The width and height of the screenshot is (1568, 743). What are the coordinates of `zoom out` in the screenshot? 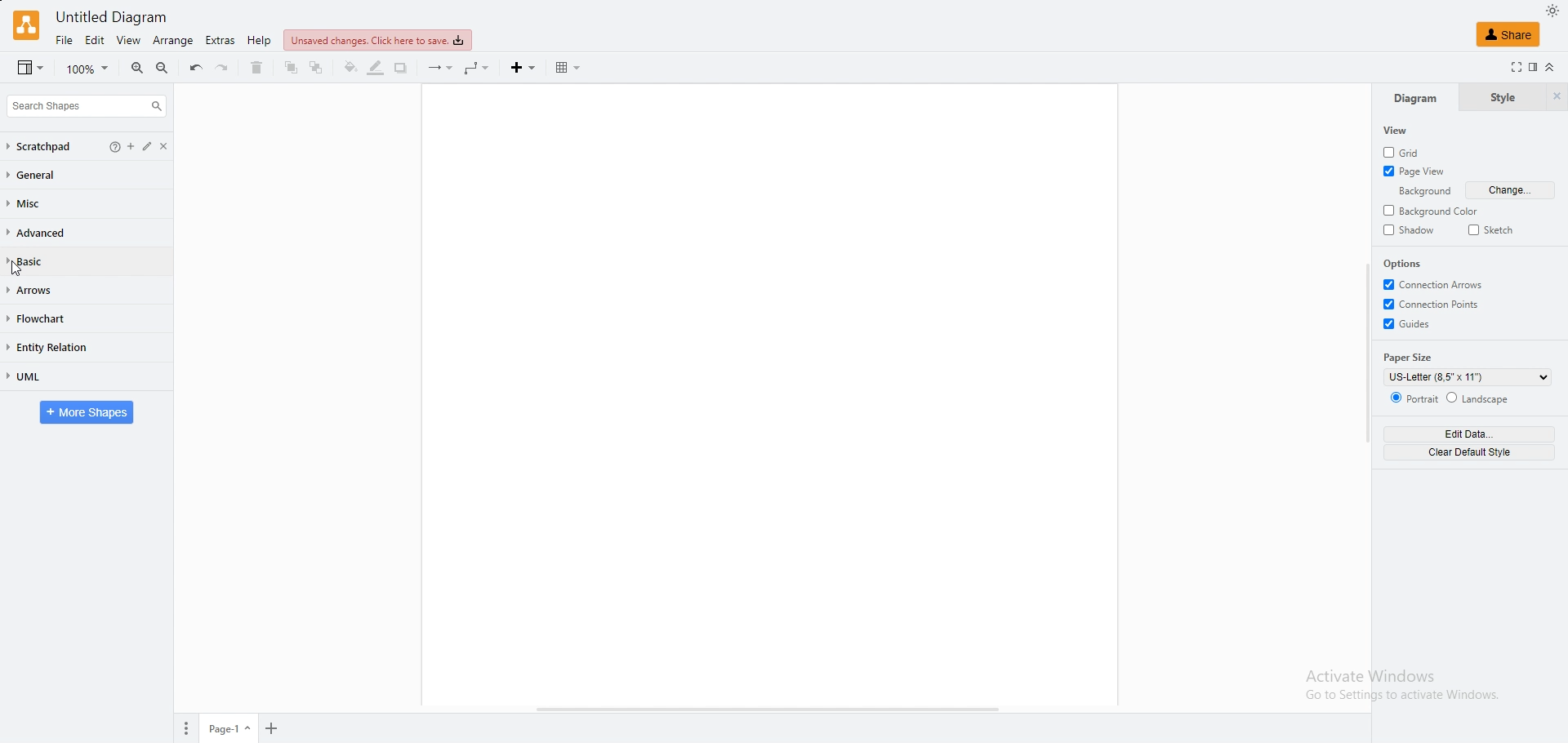 It's located at (163, 69).